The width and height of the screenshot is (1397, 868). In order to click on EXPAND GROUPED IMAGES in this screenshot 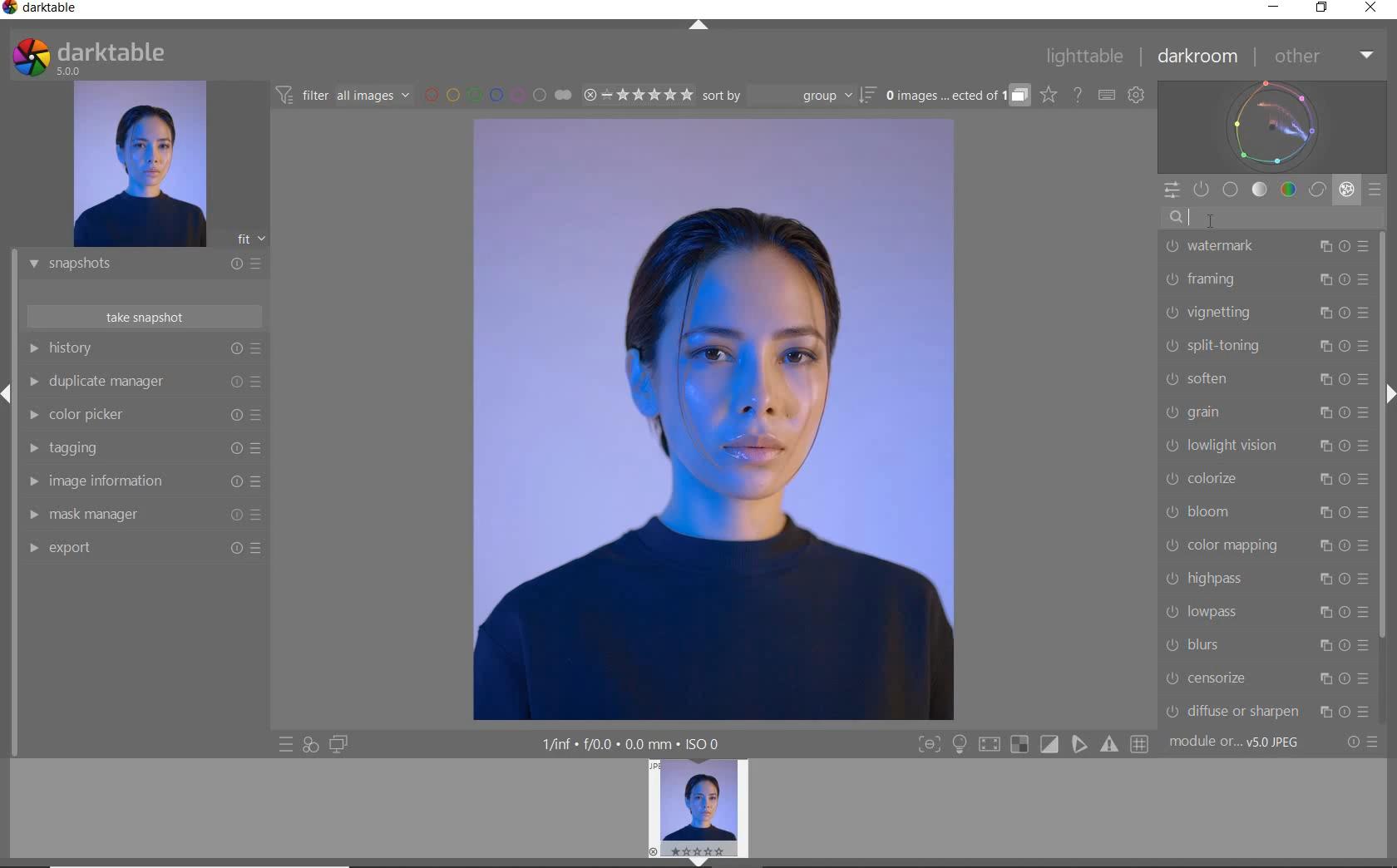, I will do `click(957, 96)`.